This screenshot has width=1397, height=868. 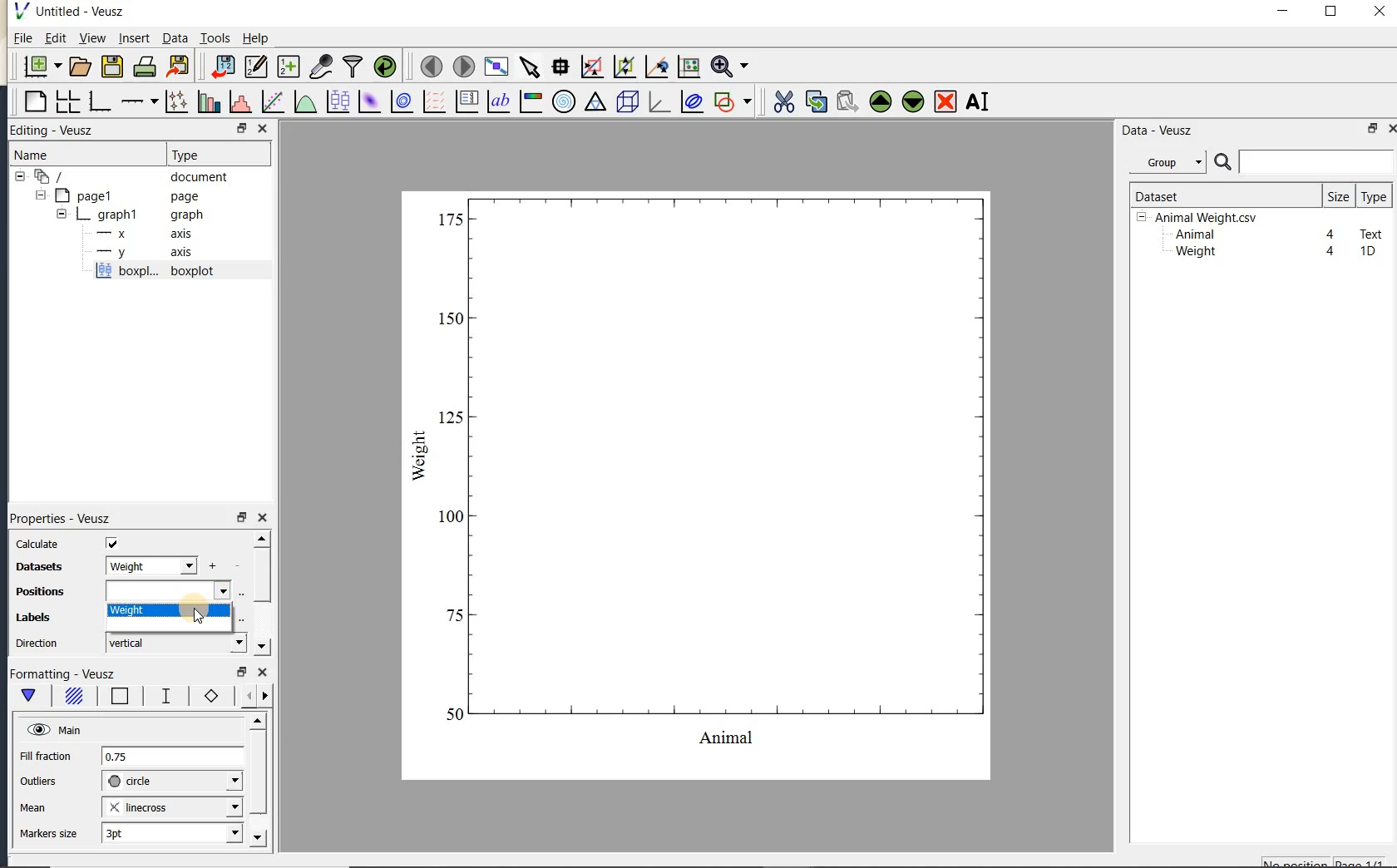 What do you see at coordinates (976, 101) in the screenshot?
I see `renames the selected widget` at bounding box center [976, 101].